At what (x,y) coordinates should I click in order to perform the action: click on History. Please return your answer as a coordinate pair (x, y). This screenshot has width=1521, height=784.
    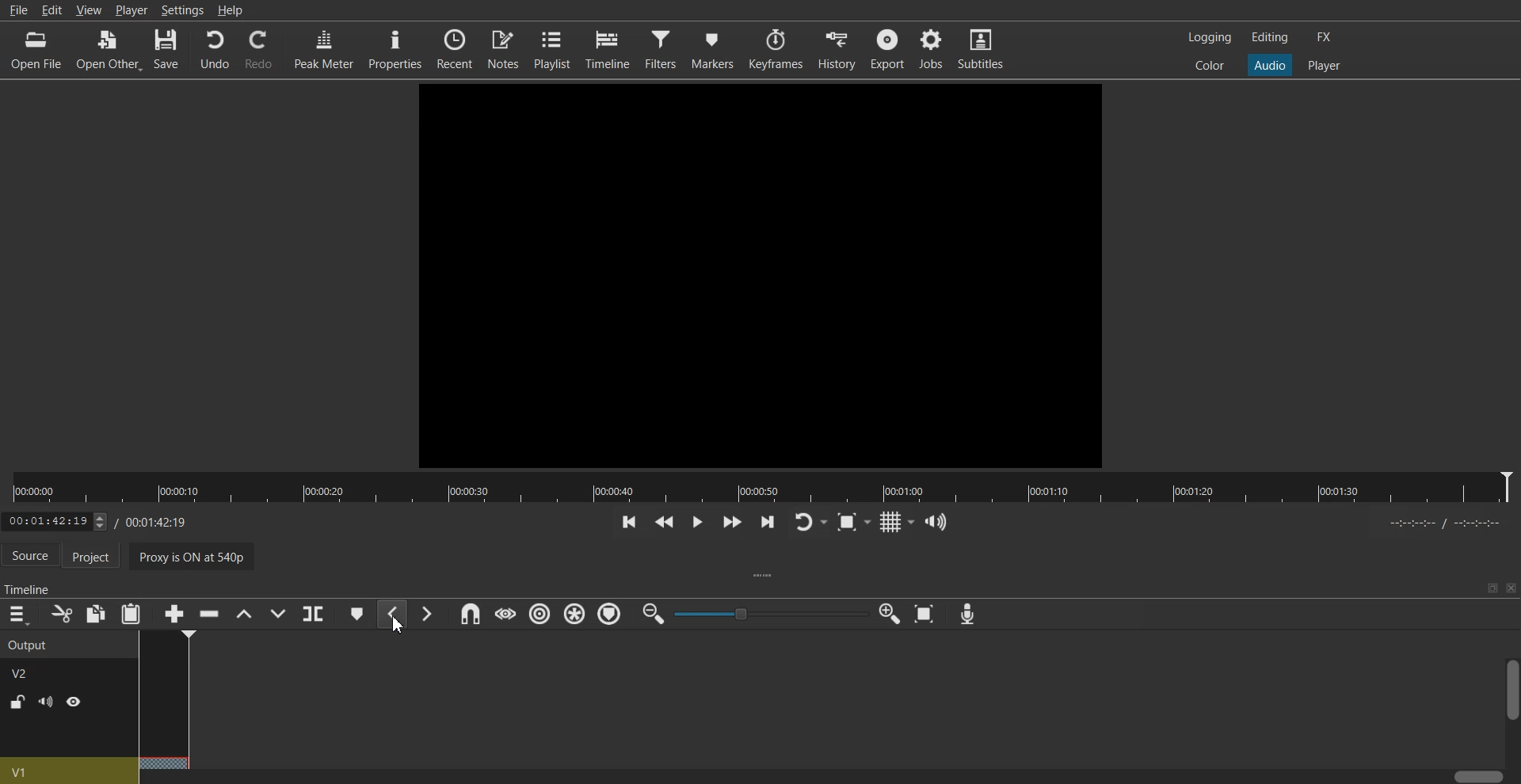
    Looking at the image, I should click on (836, 48).